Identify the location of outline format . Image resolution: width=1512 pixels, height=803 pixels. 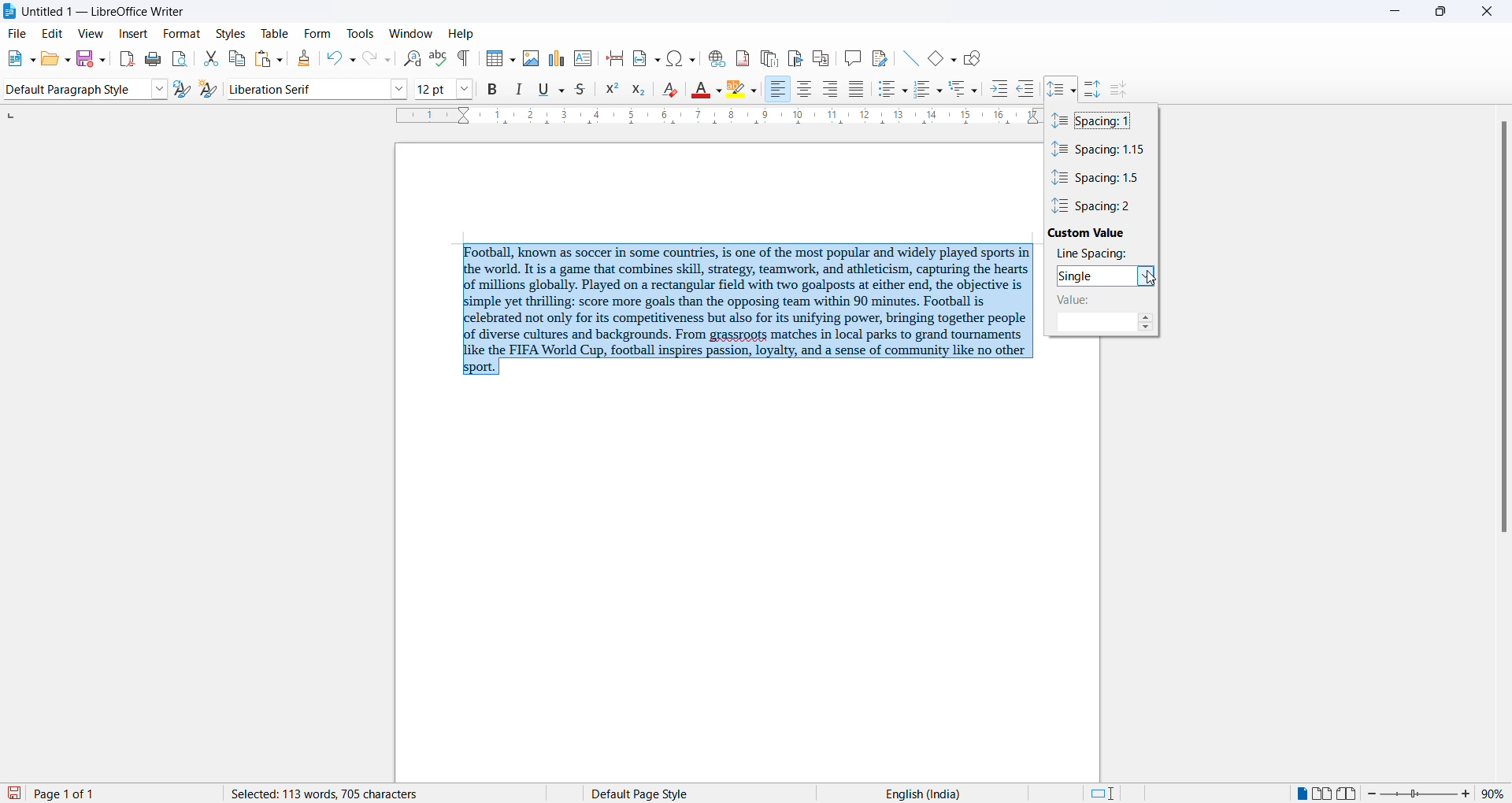
(955, 91).